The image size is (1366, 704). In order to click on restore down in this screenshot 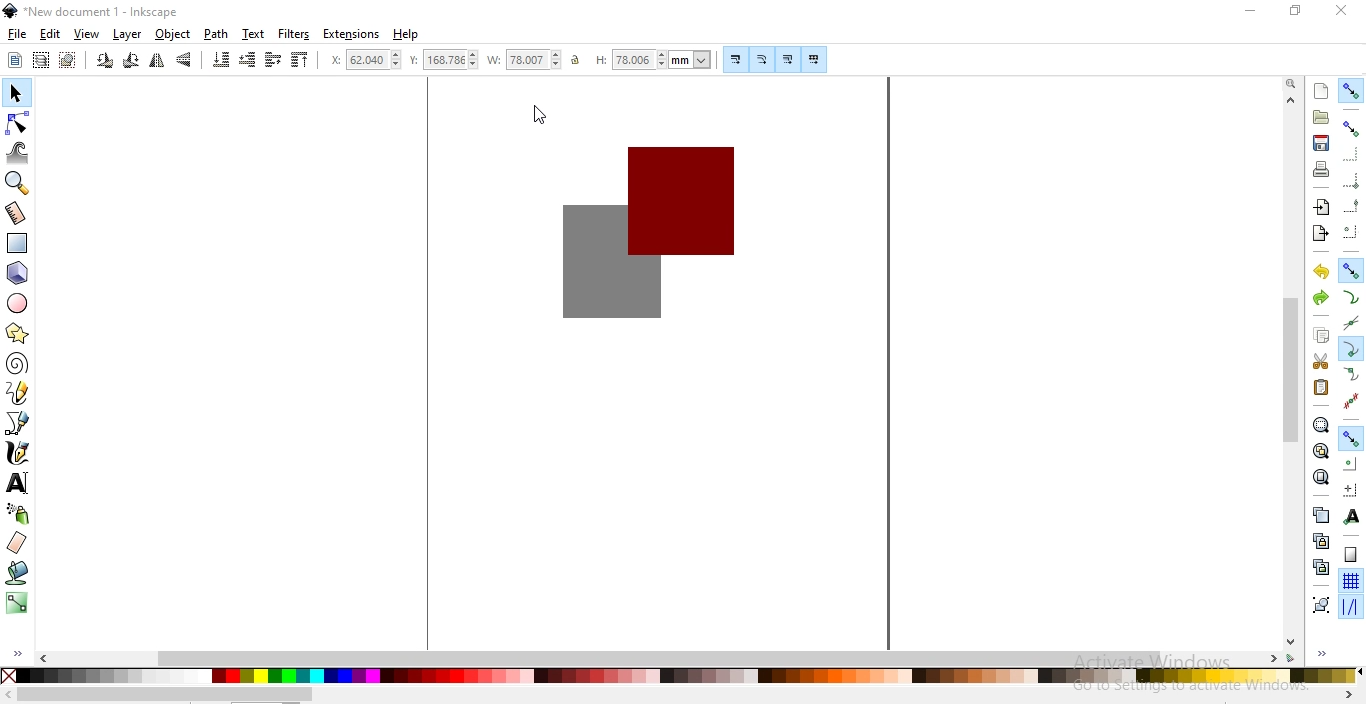, I will do `click(1296, 12)`.